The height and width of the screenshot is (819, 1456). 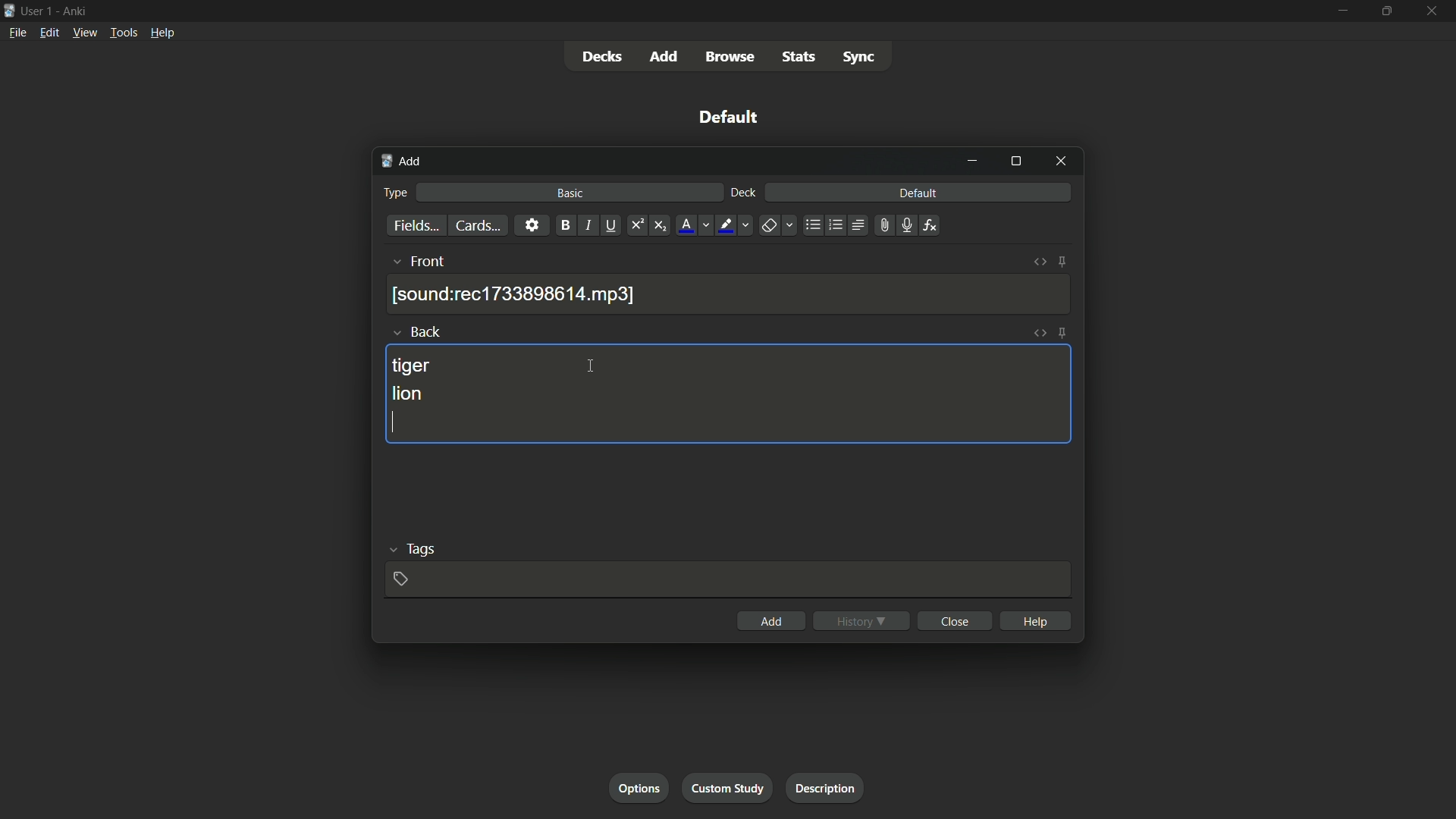 I want to click on italic, so click(x=588, y=227).